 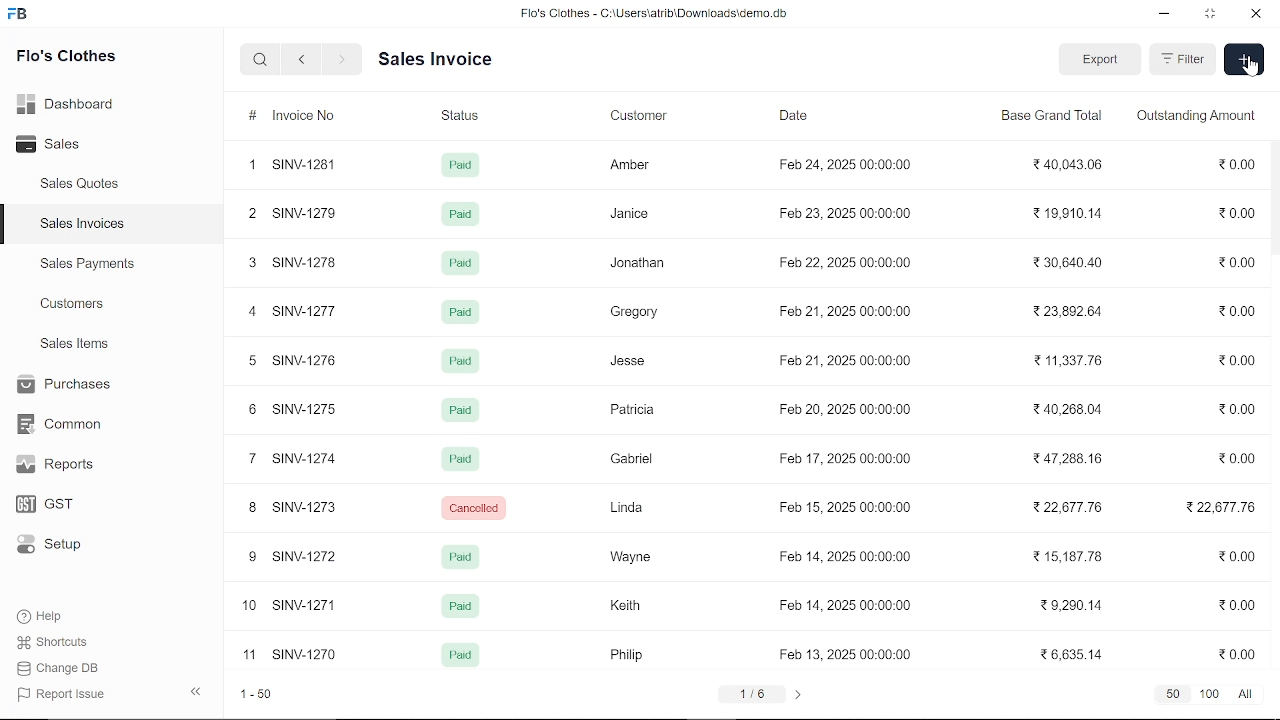 I want to click on 1 SINV-1281 Pad Amber Feb 24, 2025 00:00:00 240,043.06, so click(x=748, y=163).